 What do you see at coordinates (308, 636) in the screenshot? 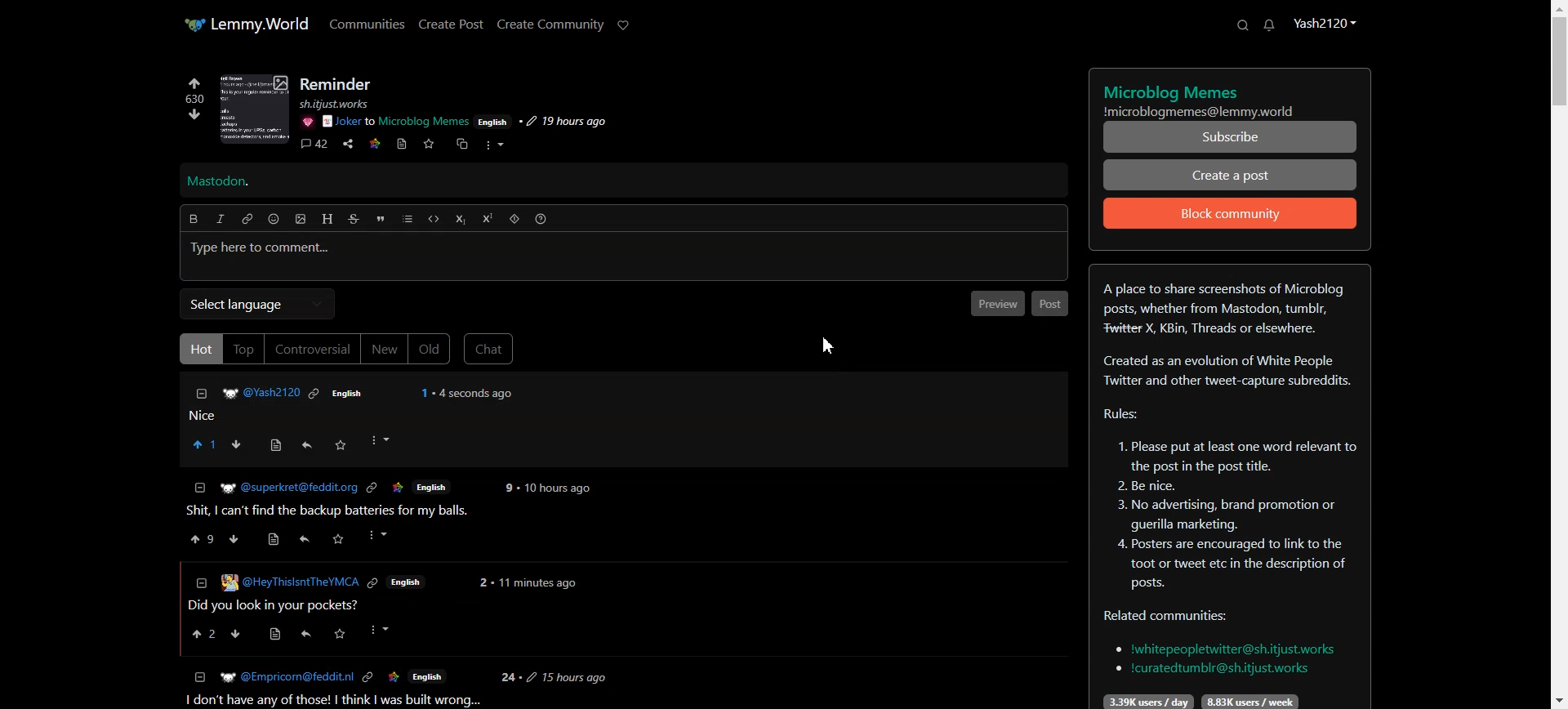
I see `` at bounding box center [308, 636].